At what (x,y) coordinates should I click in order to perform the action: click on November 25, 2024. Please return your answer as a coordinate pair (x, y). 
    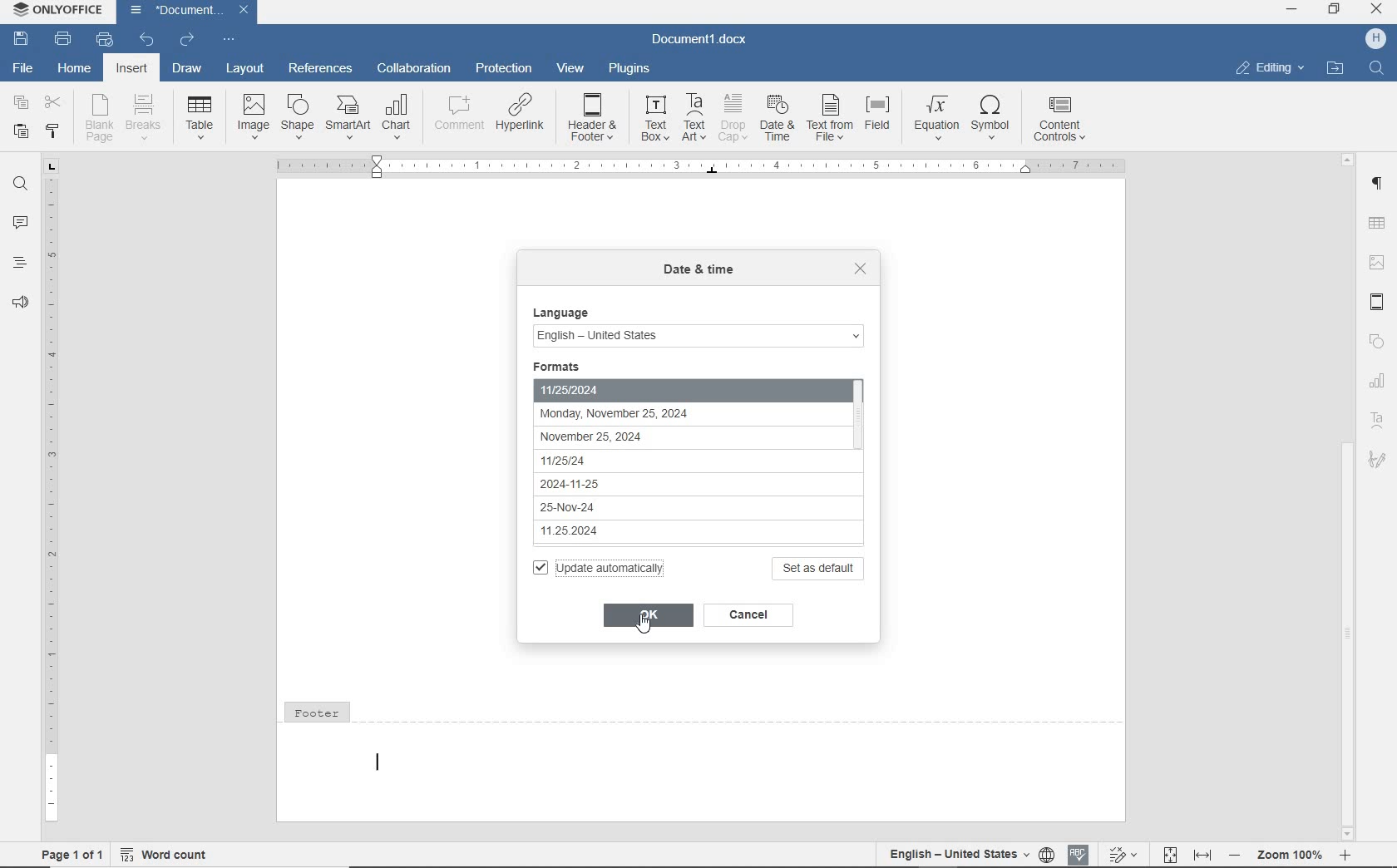
    Looking at the image, I should click on (644, 437).